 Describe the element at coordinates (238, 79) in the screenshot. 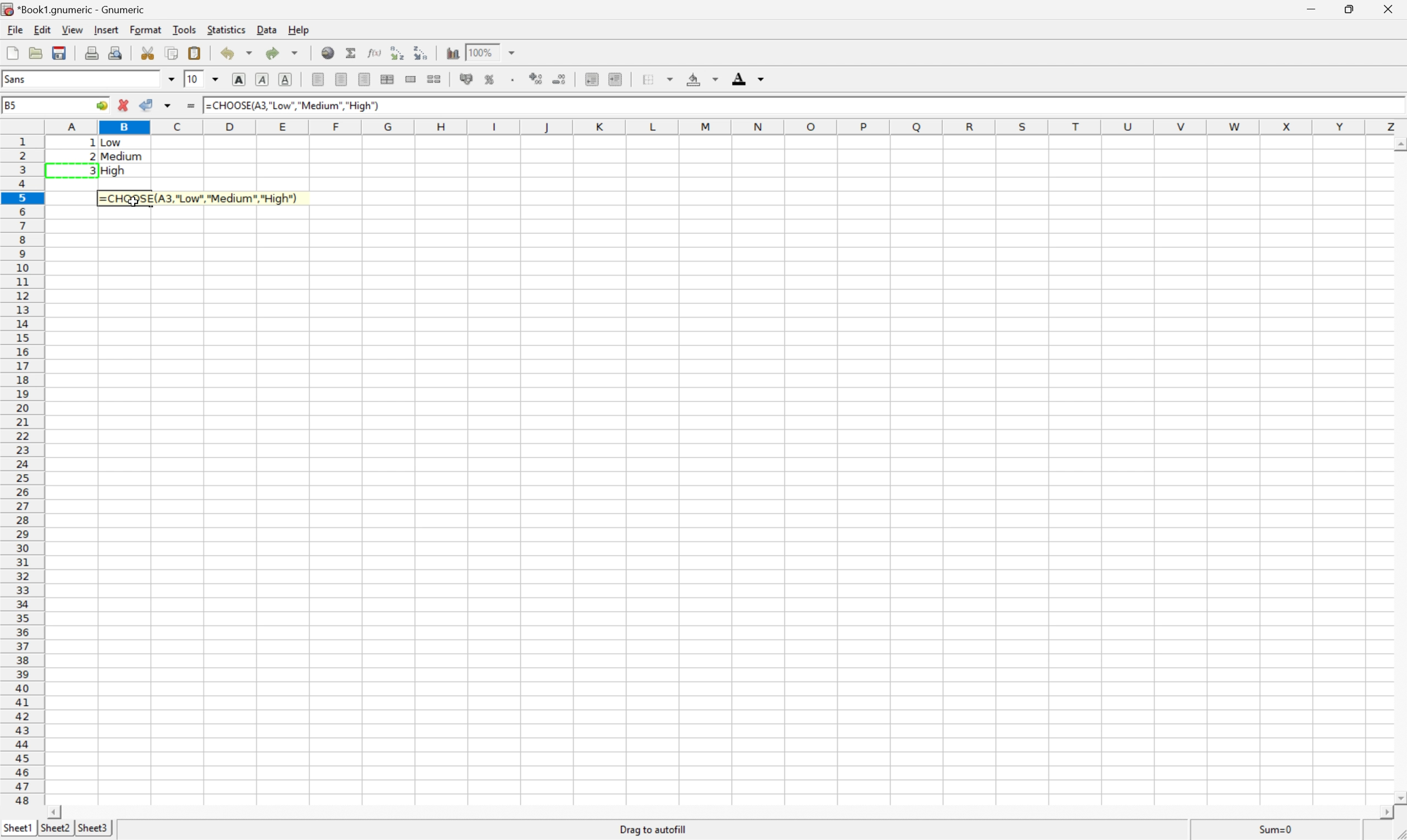

I see `Bold` at that location.